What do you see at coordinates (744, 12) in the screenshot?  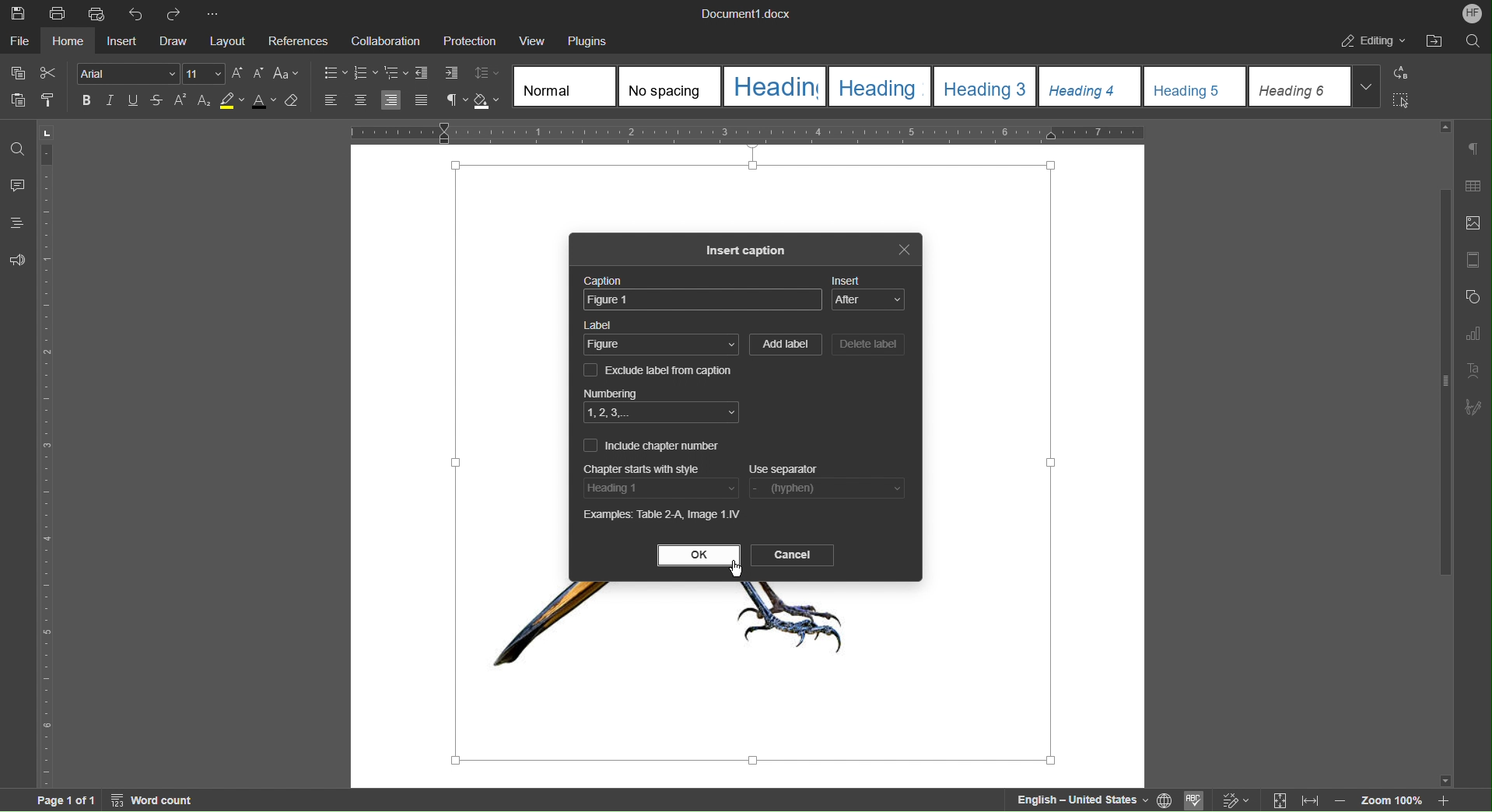 I see `Document1.docx` at bounding box center [744, 12].